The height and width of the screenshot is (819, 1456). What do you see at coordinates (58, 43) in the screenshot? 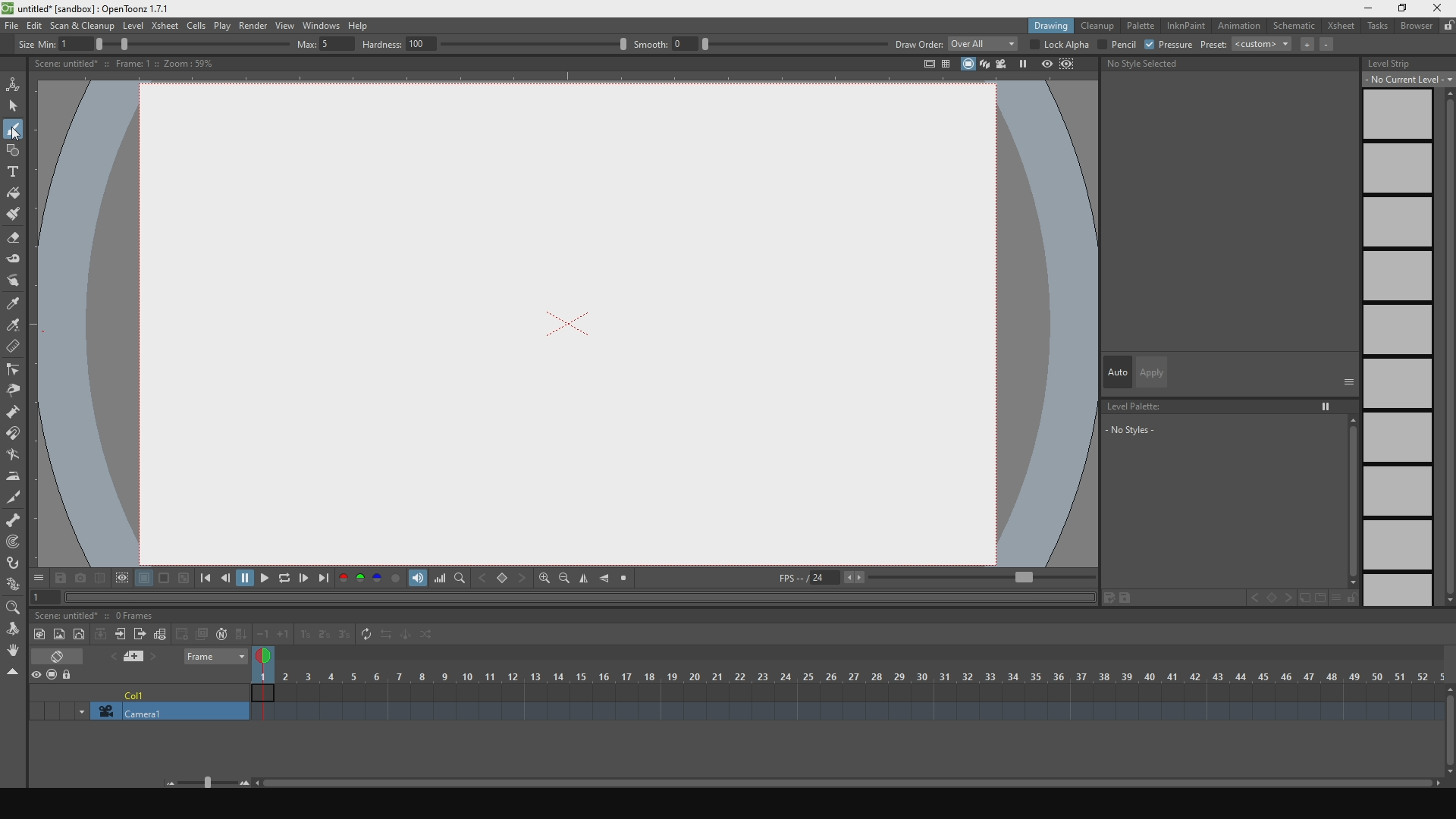
I see `size min` at bounding box center [58, 43].